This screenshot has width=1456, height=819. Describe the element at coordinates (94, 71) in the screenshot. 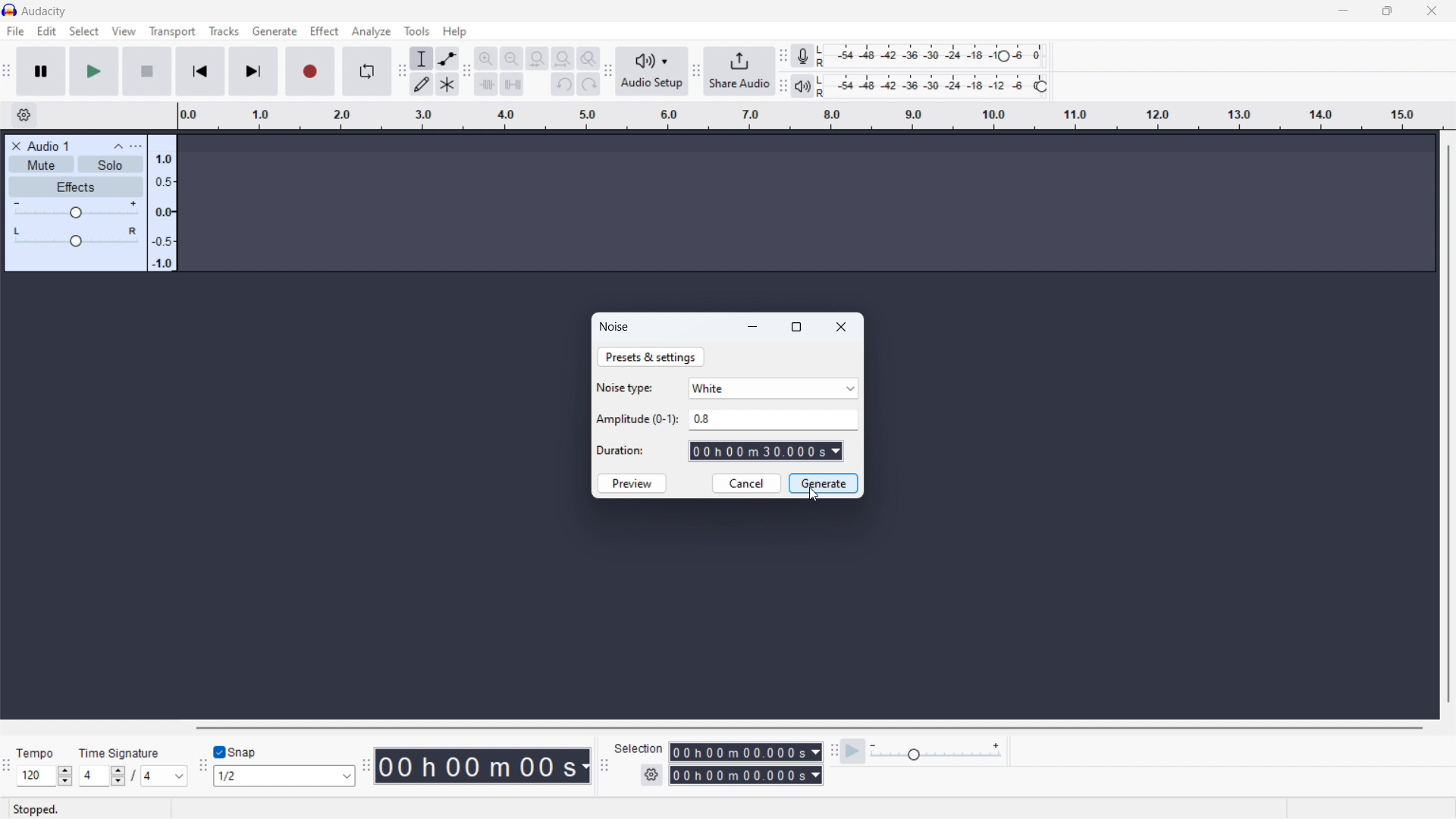

I see `play` at that location.